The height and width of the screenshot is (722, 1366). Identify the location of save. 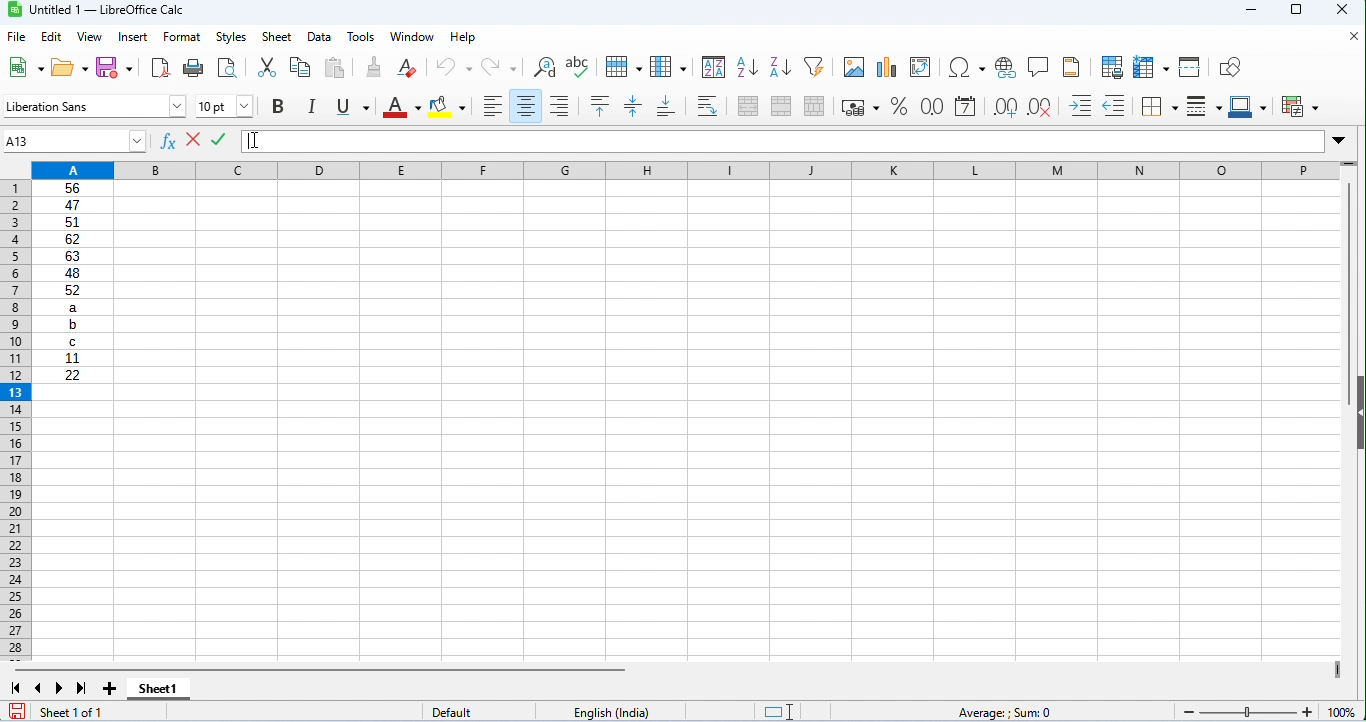
(116, 68).